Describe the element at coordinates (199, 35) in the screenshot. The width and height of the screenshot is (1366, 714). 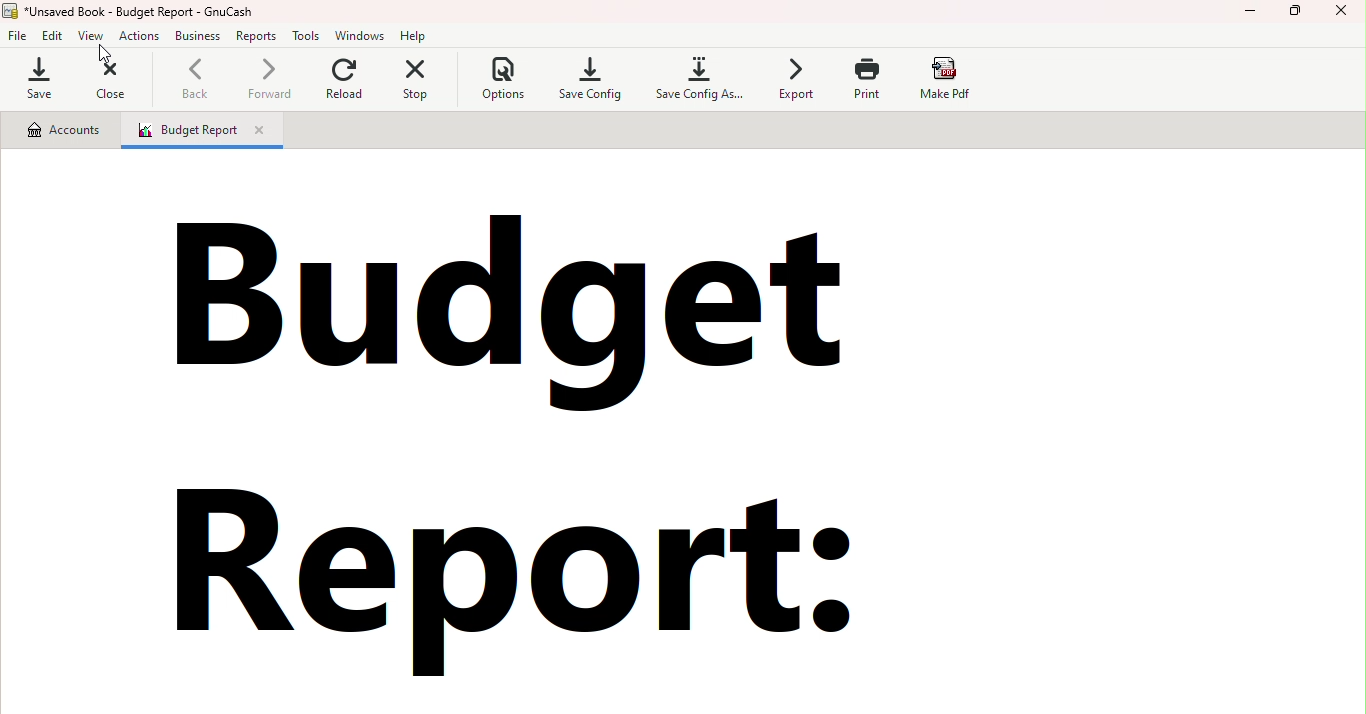
I see `business` at that location.